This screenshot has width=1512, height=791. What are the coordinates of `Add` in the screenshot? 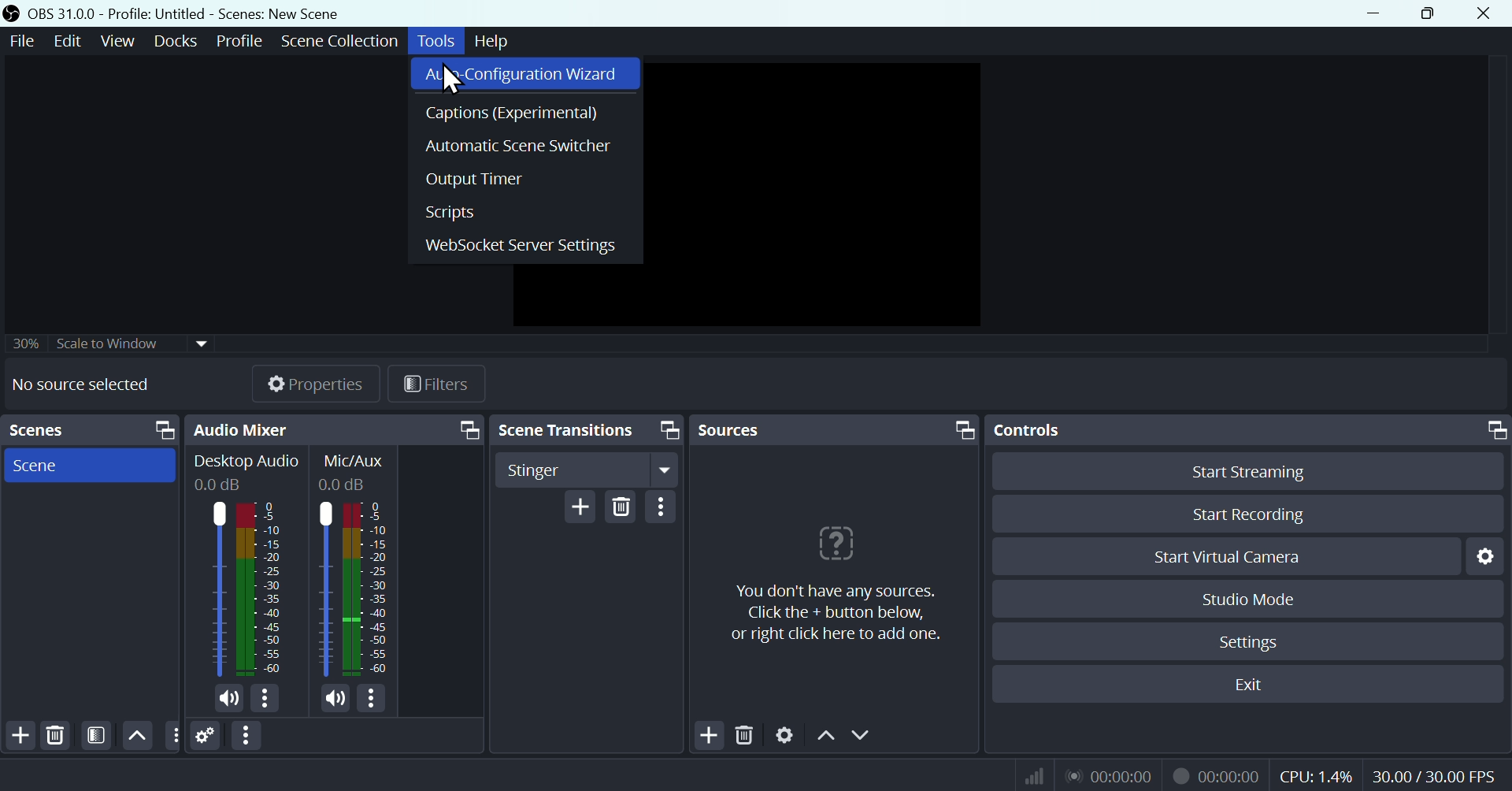 It's located at (707, 733).